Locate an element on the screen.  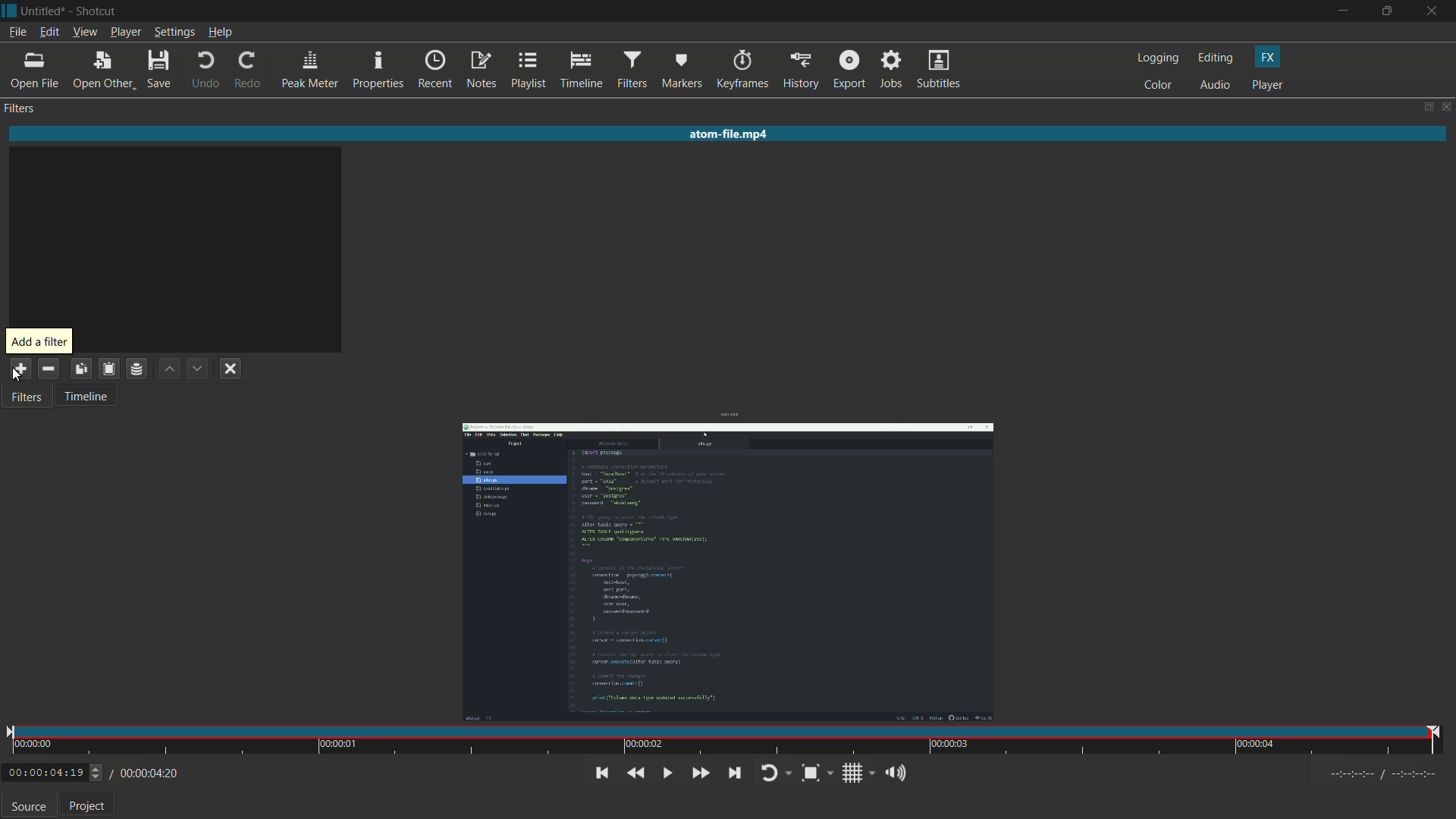
move filter up is located at coordinates (171, 369).